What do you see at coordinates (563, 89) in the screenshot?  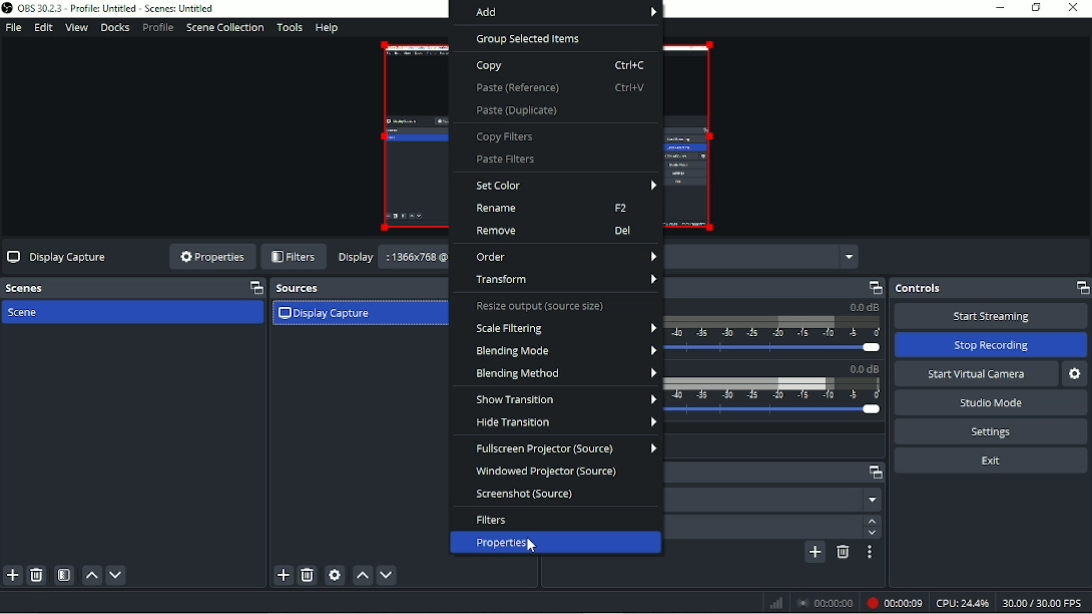 I see `Paste (Reference)` at bounding box center [563, 89].